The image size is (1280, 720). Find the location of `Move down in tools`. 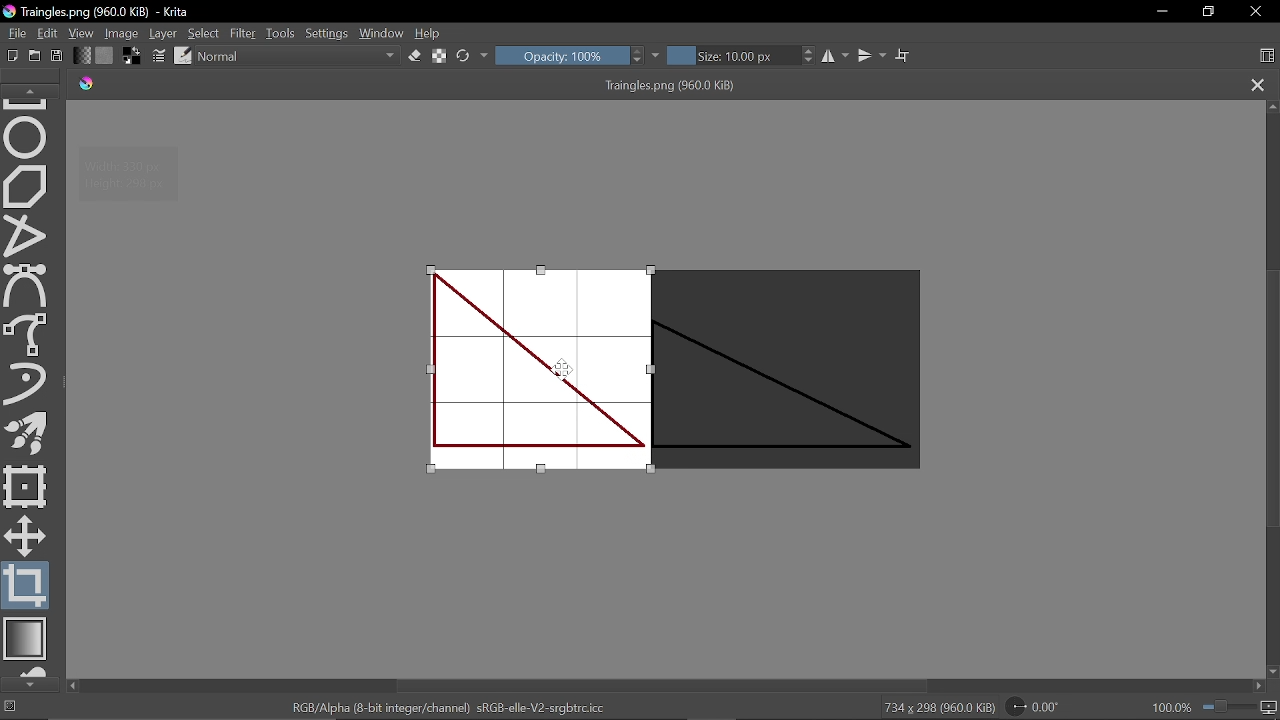

Move down in tools is located at coordinates (29, 685).